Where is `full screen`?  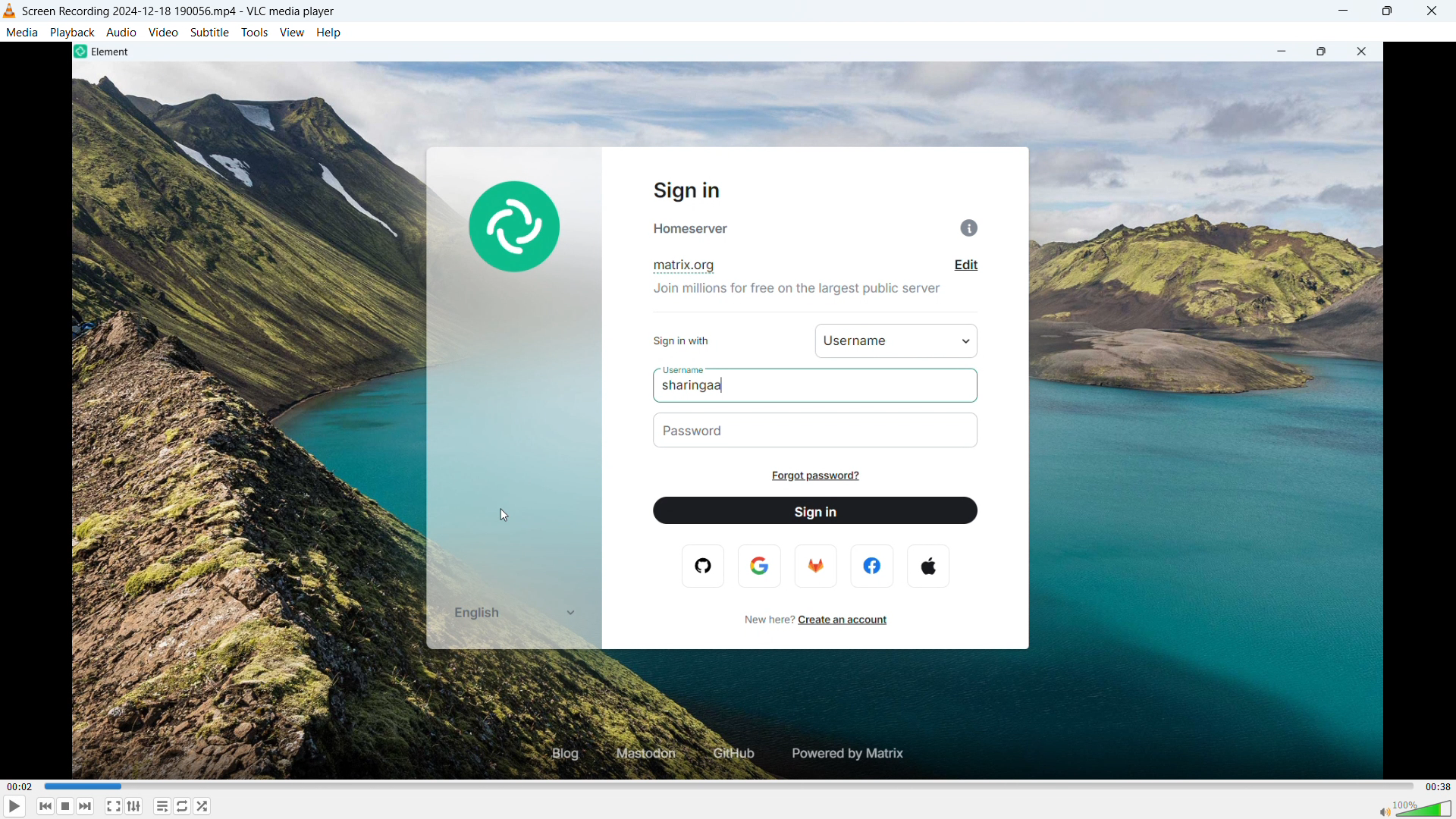
full screen is located at coordinates (114, 806).